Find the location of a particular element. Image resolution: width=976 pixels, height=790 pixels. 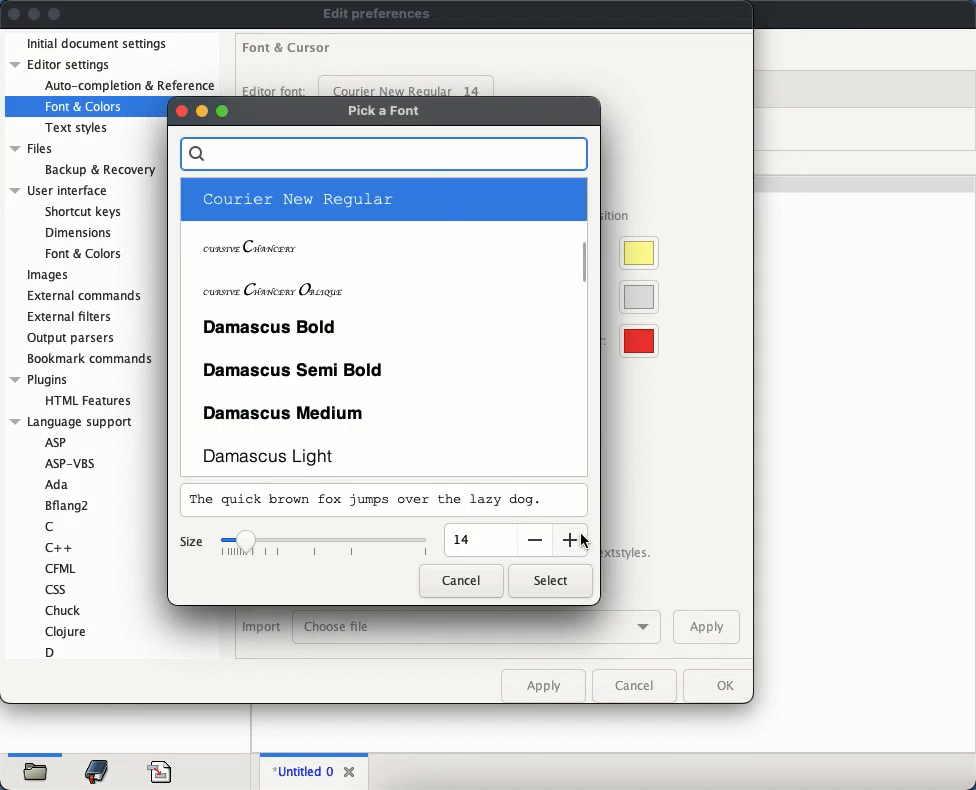

edit preferences is located at coordinates (377, 14).